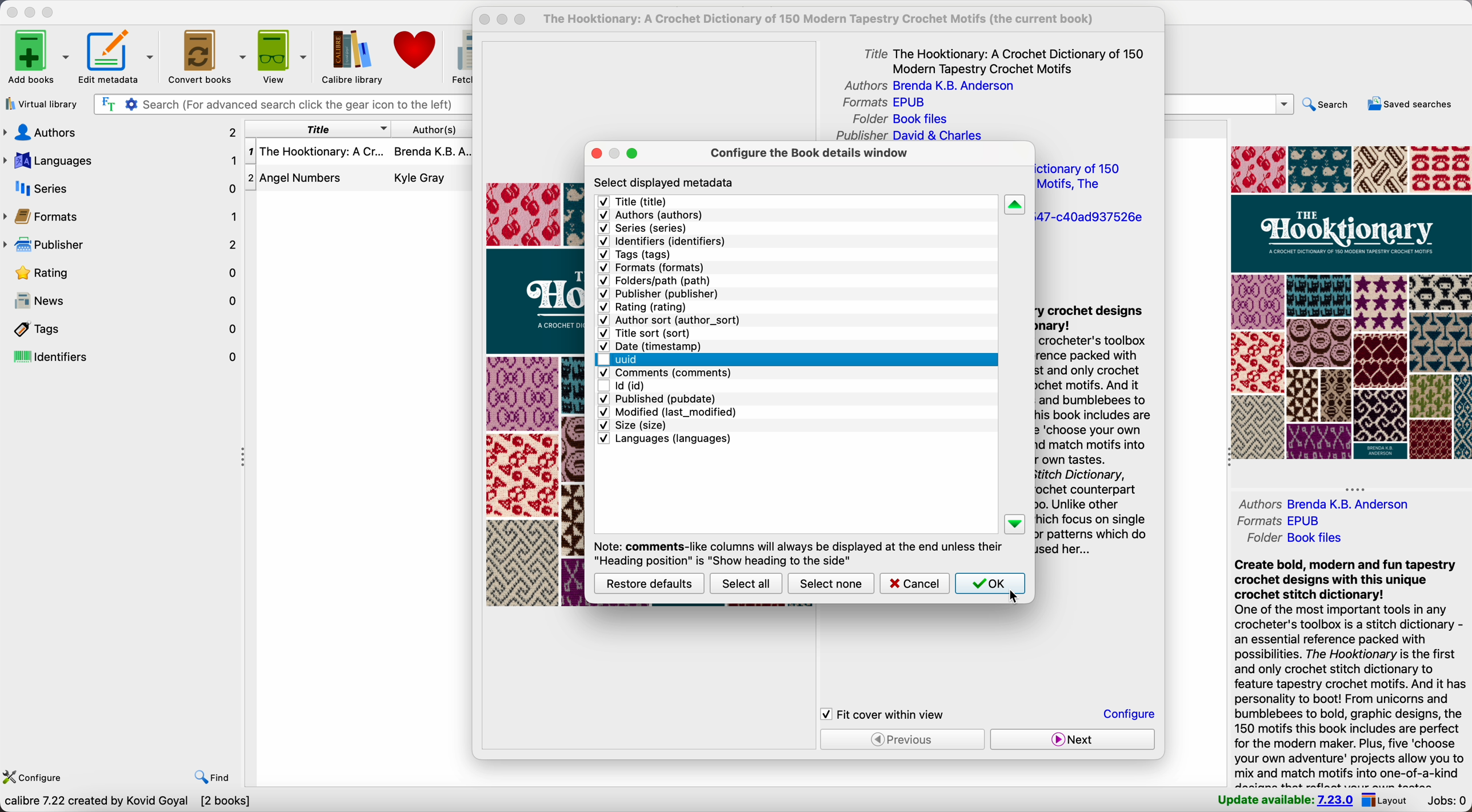  Describe the element at coordinates (627, 386) in the screenshot. I see `disable id` at that location.